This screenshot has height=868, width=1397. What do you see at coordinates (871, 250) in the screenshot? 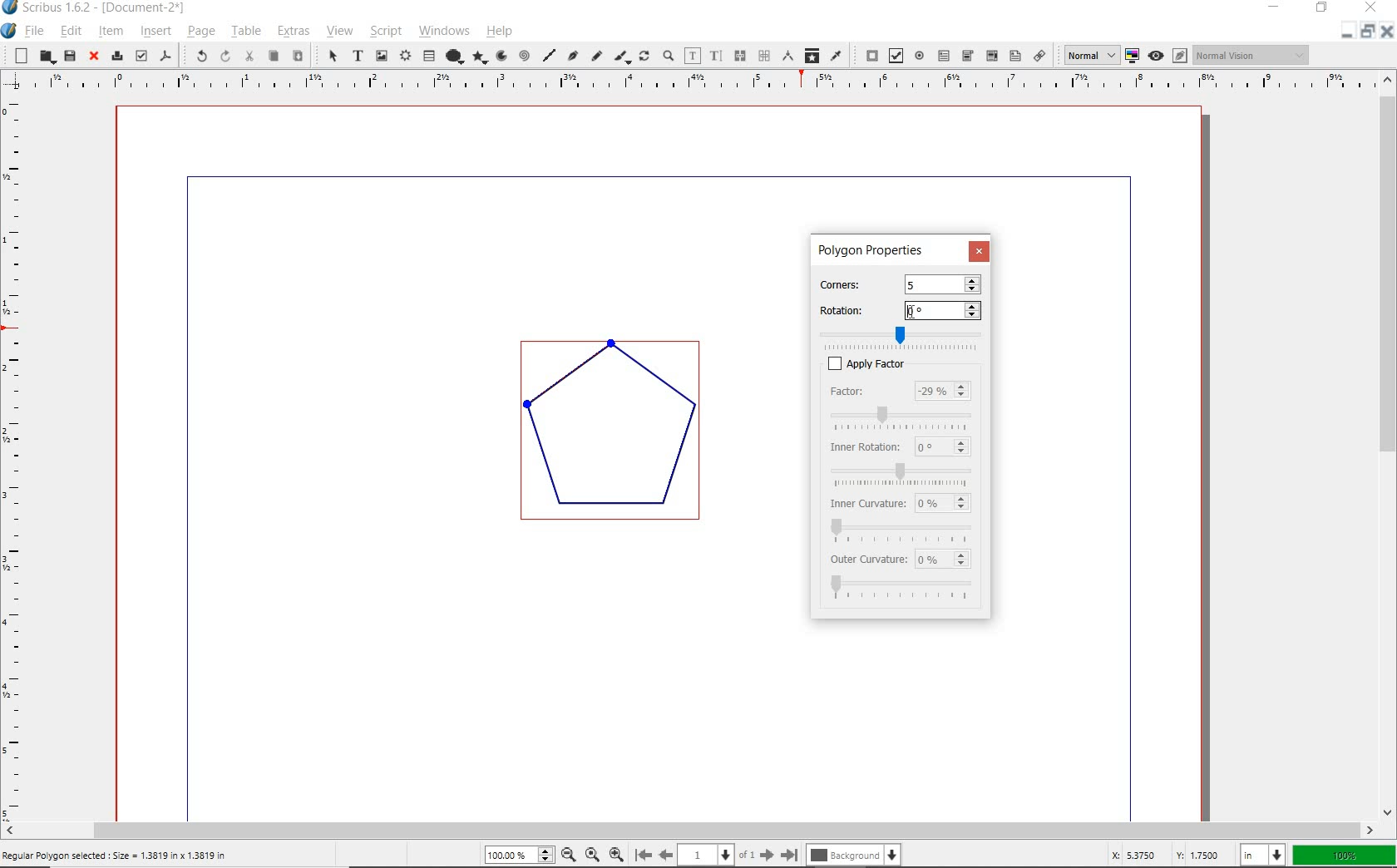
I see `POLYGON PROPERTIES` at bounding box center [871, 250].